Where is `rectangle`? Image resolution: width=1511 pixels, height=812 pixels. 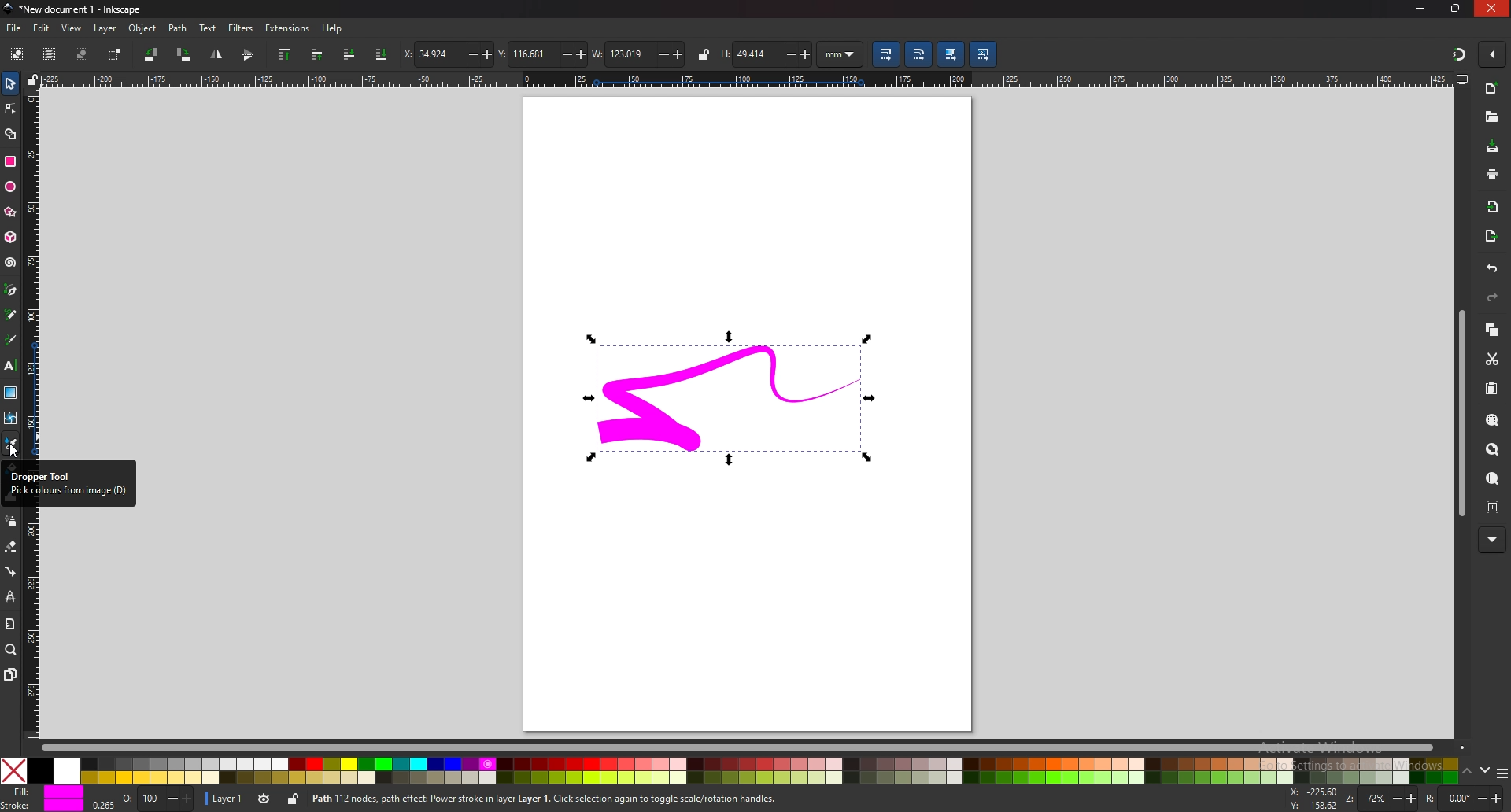 rectangle is located at coordinates (9, 161).